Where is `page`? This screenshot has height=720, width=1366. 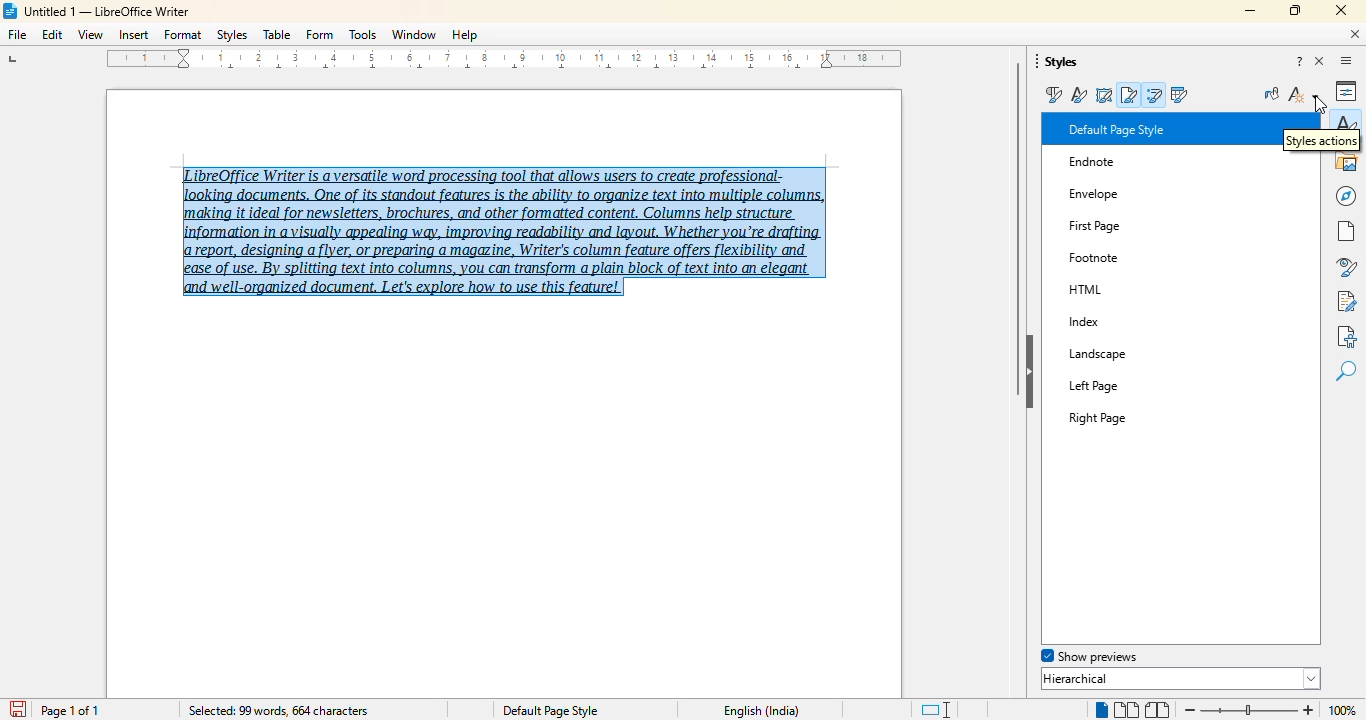
page is located at coordinates (1346, 231).